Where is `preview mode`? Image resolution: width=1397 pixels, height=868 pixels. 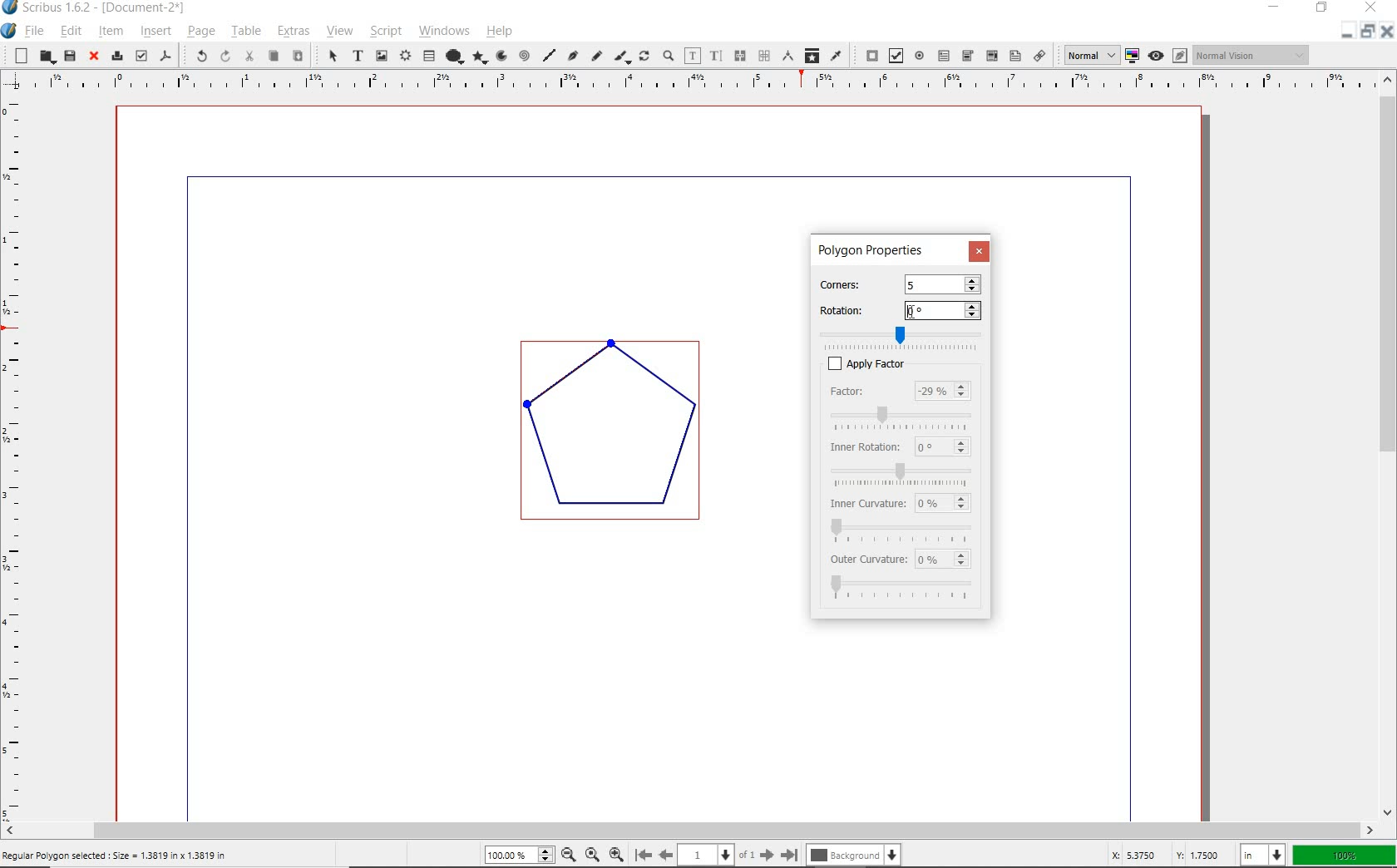 preview mode is located at coordinates (1167, 56).